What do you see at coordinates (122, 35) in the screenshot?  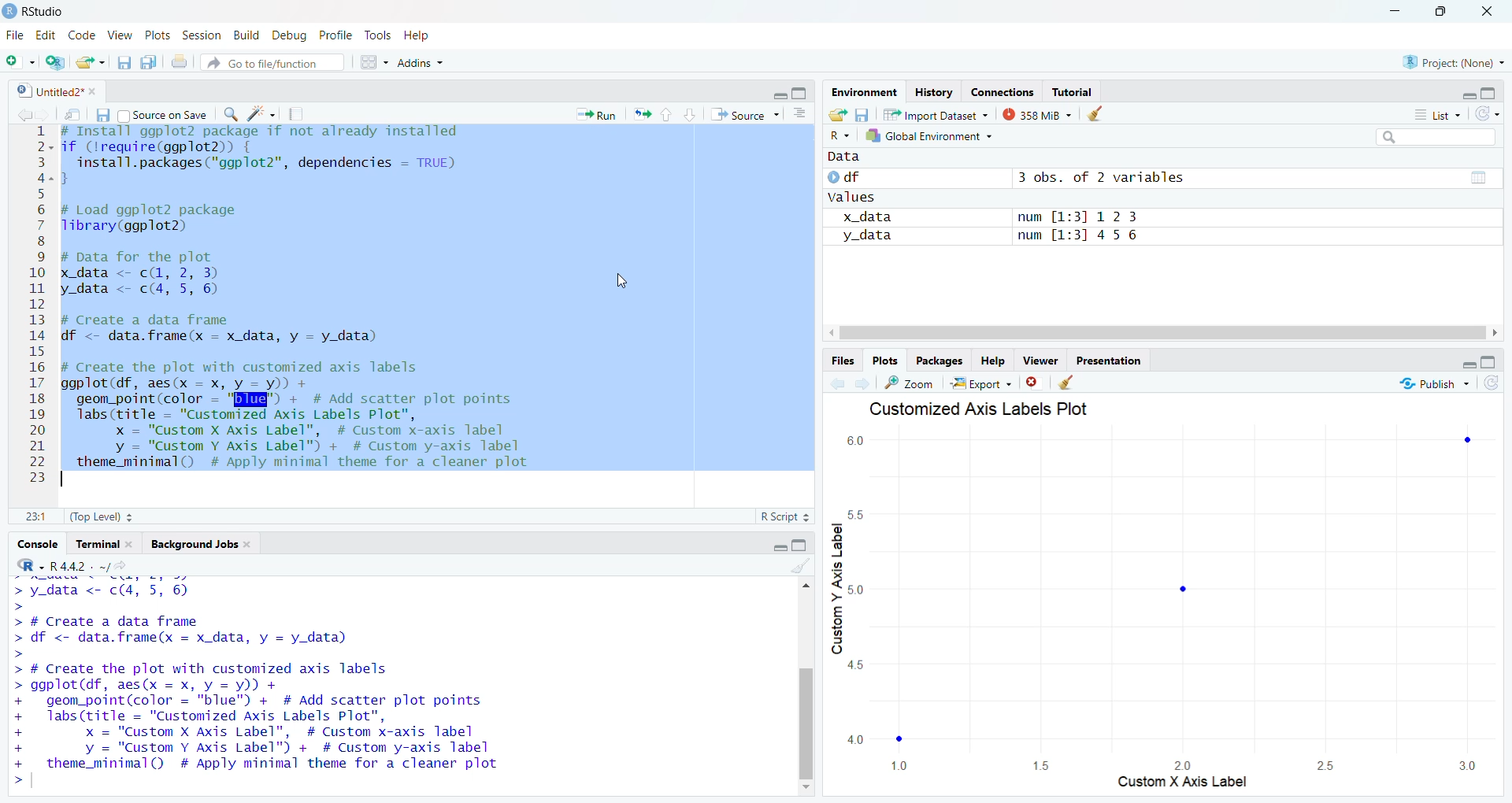 I see `View` at bounding box center [122, 35].